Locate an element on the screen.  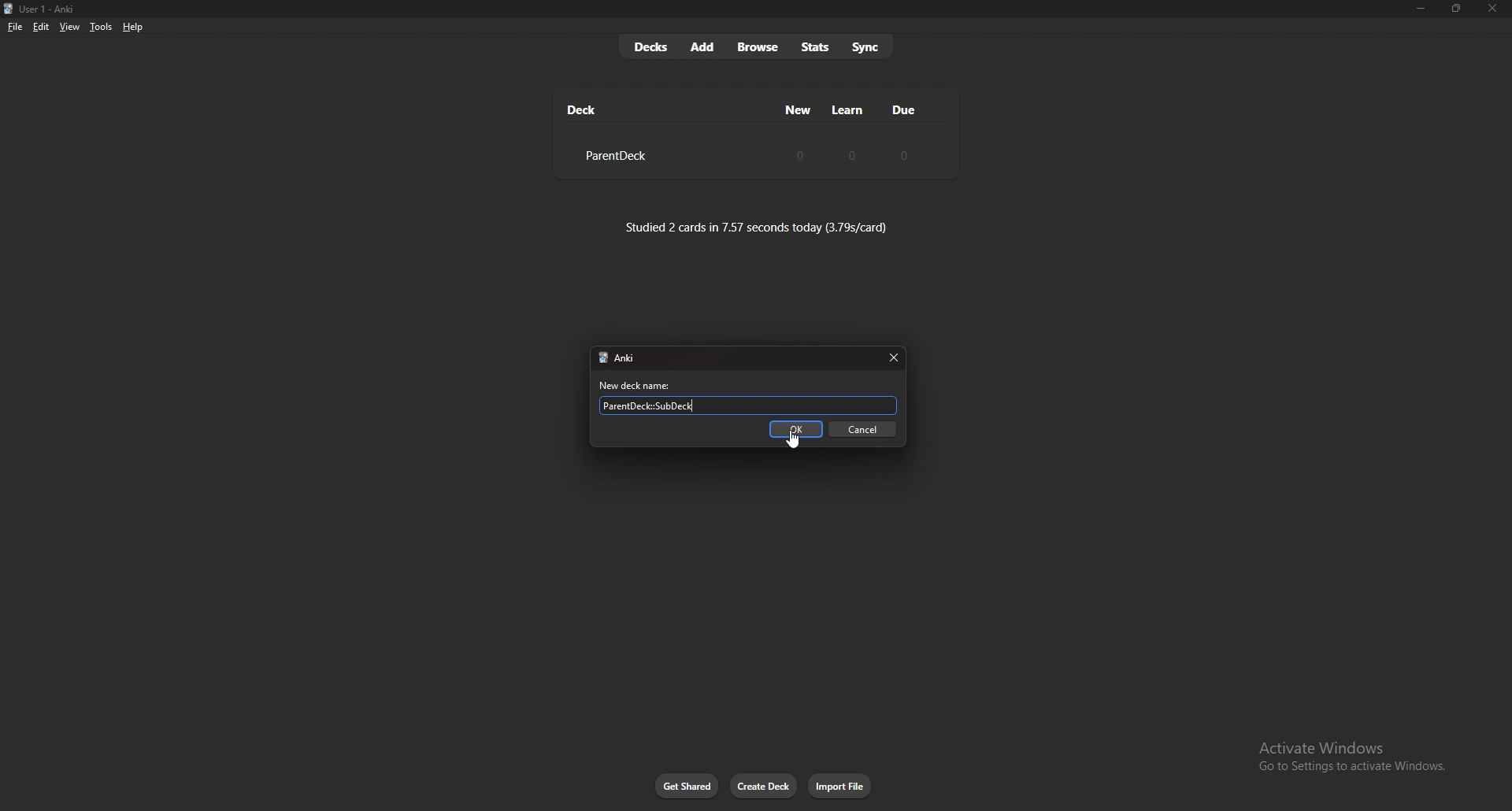
view is located at coordinates (69, 26).